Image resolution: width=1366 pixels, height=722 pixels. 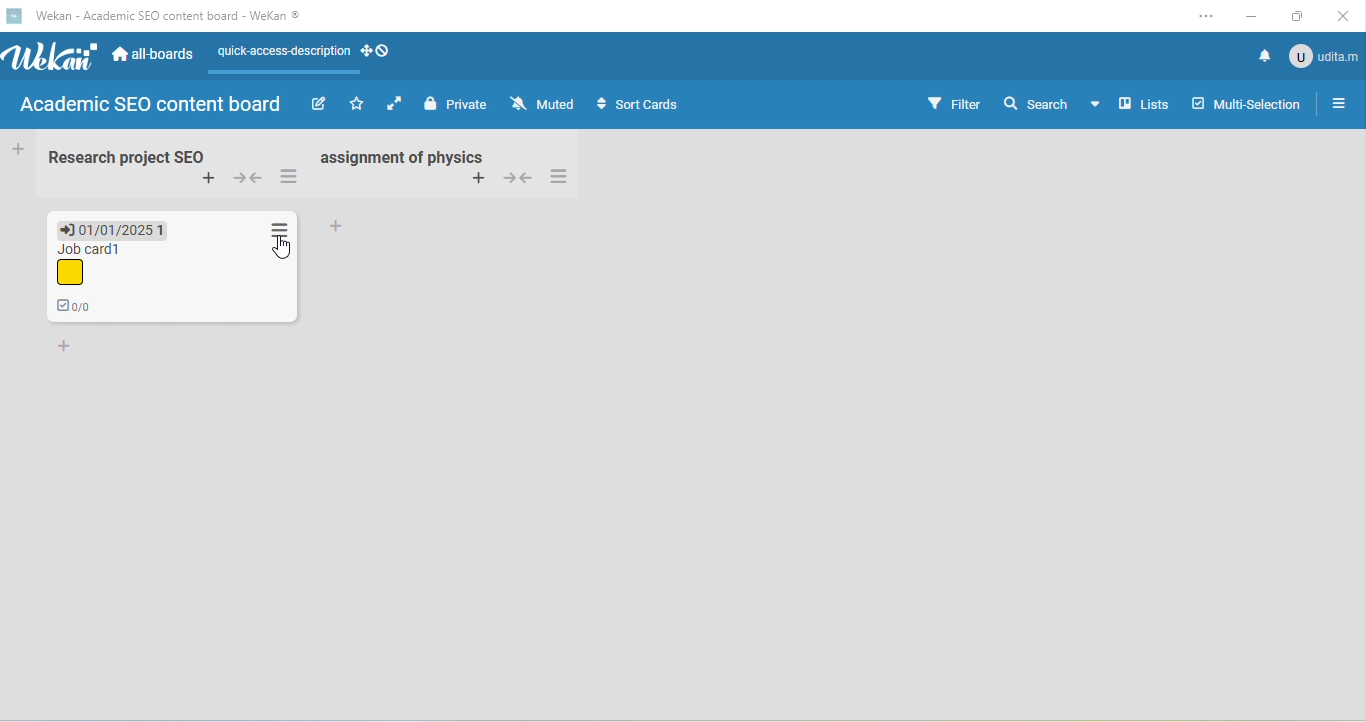 I want to click on settings and more, so click(x=1206, y=18).